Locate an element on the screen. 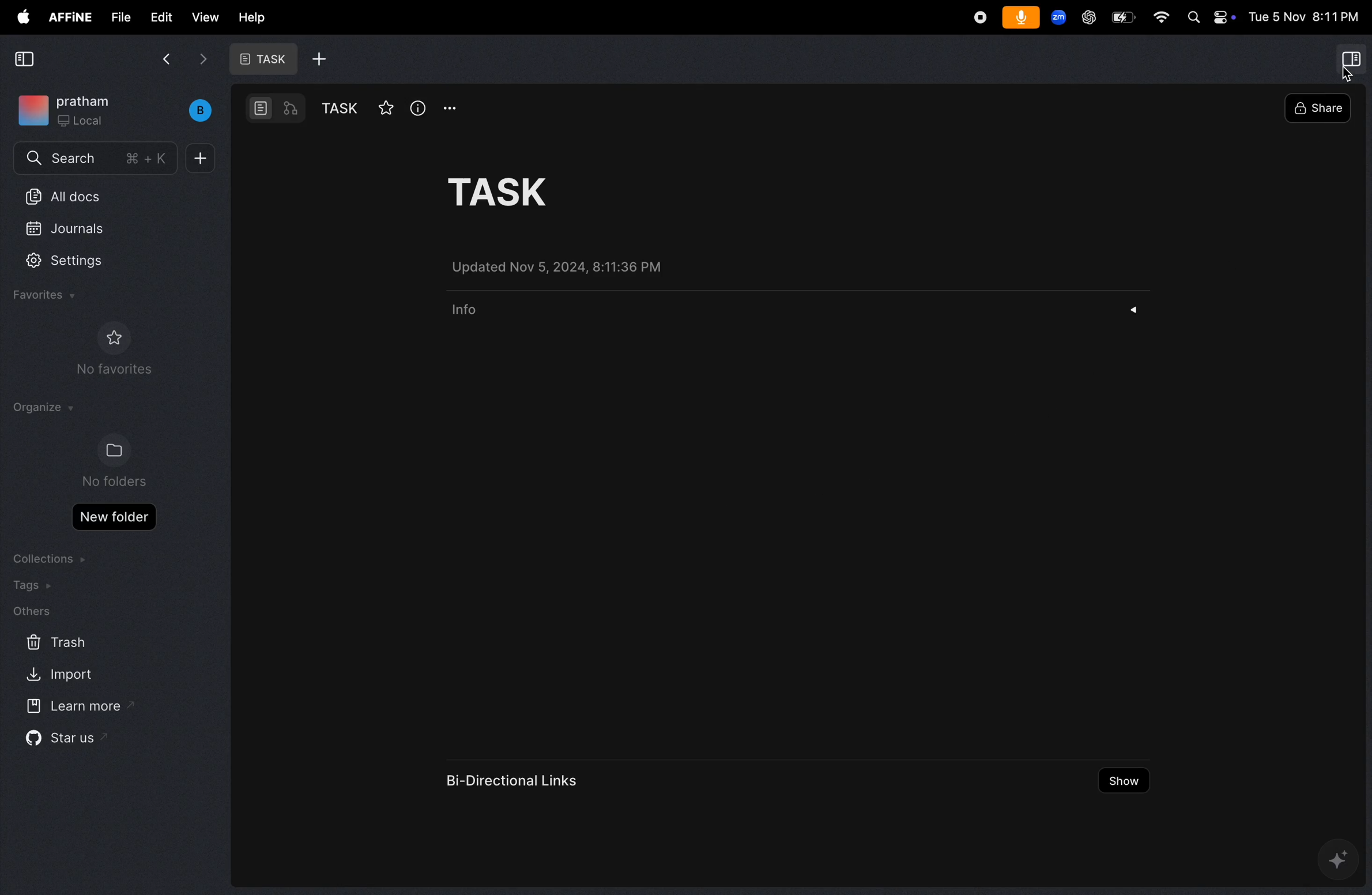 The height and width of the screenshot is (895, 1372). zoom is located at coordinates (1058, 19).